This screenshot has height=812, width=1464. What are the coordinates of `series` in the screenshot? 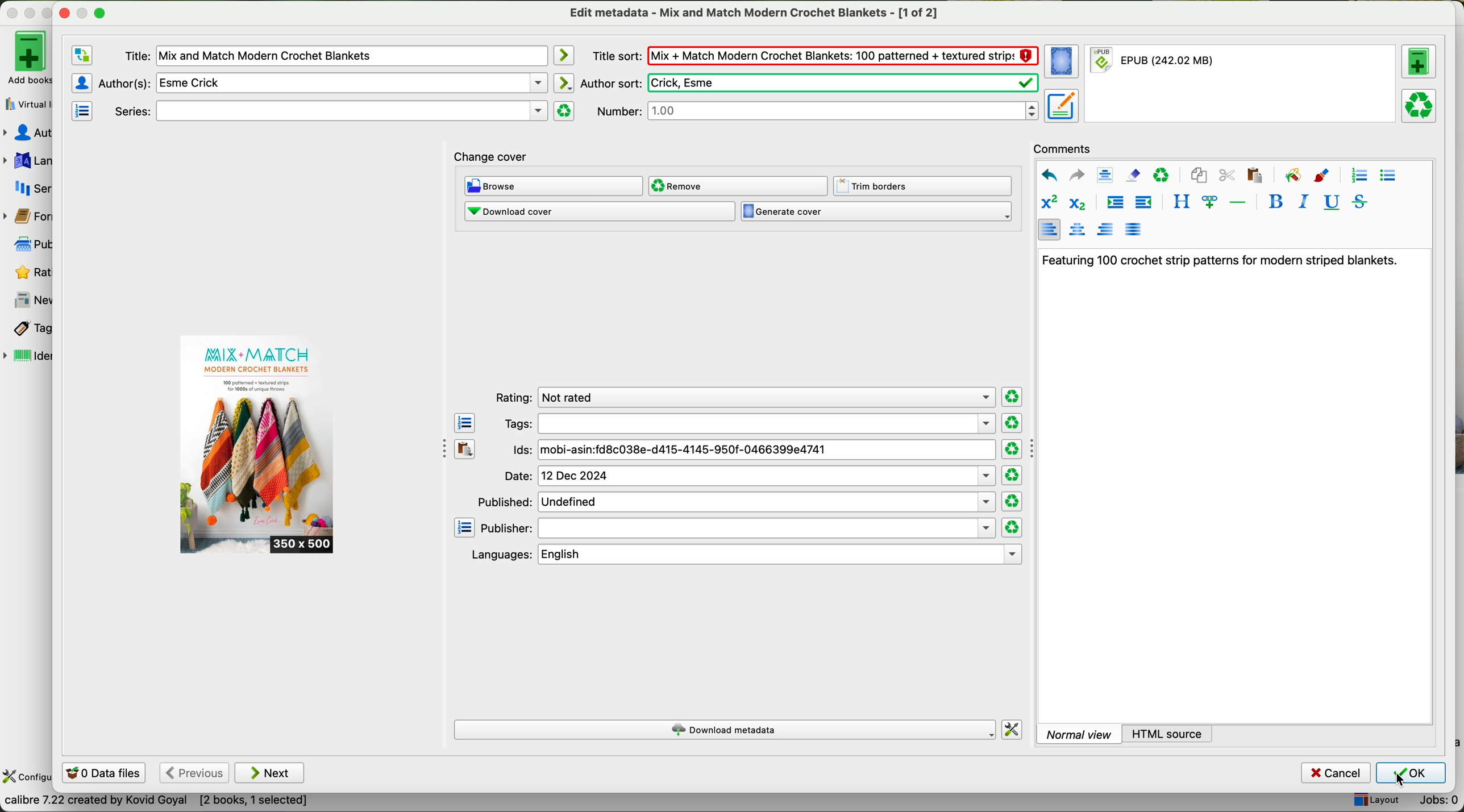 It's located at (328, 111).